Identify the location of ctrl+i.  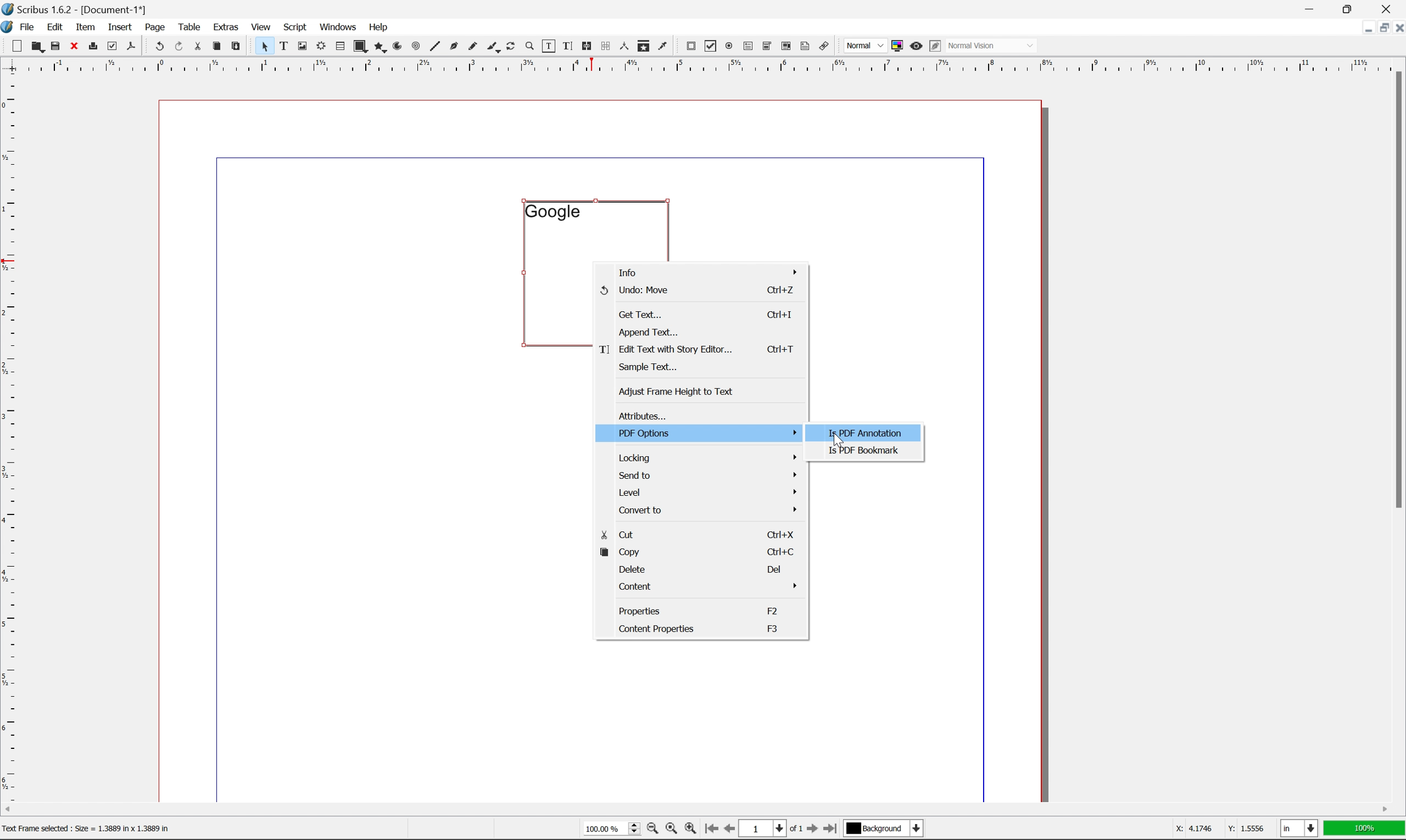
(781, 315).